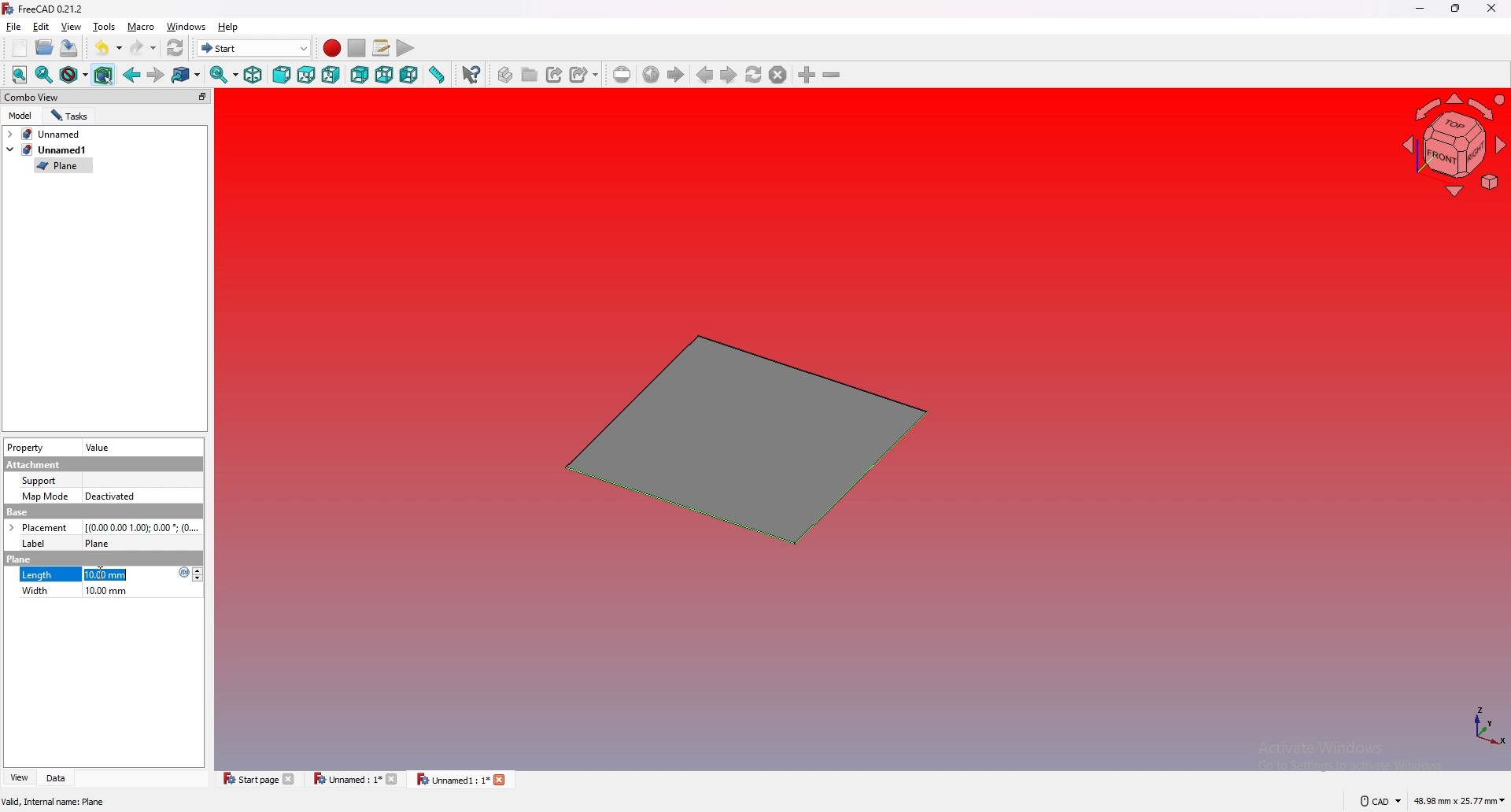 The image size is (1511, 812). I want to click on open, so click(45, 47).